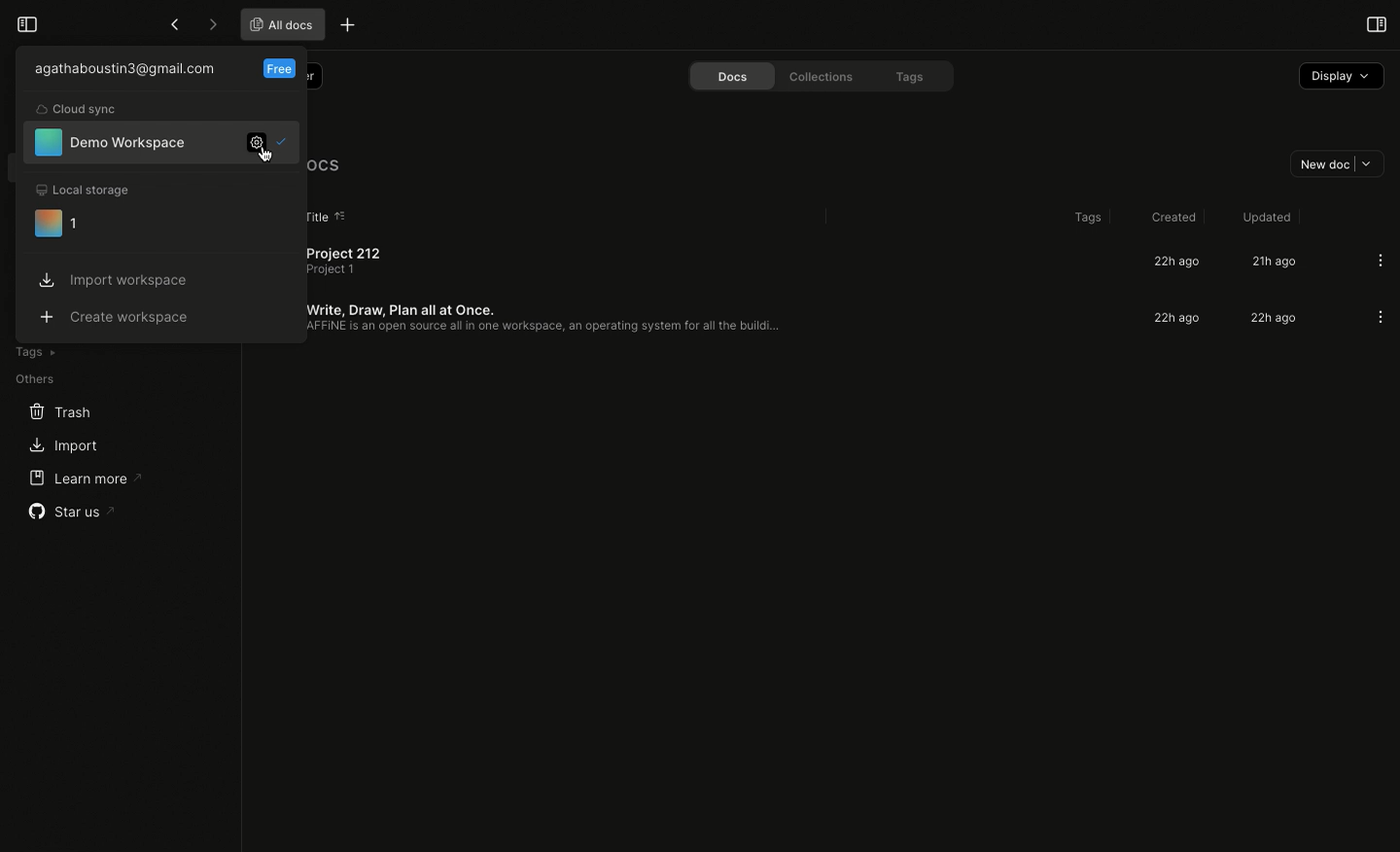  What do you see at coordinates (261, 147) in the screenshot?
I see `Settings` at bounding box center [261, 147].